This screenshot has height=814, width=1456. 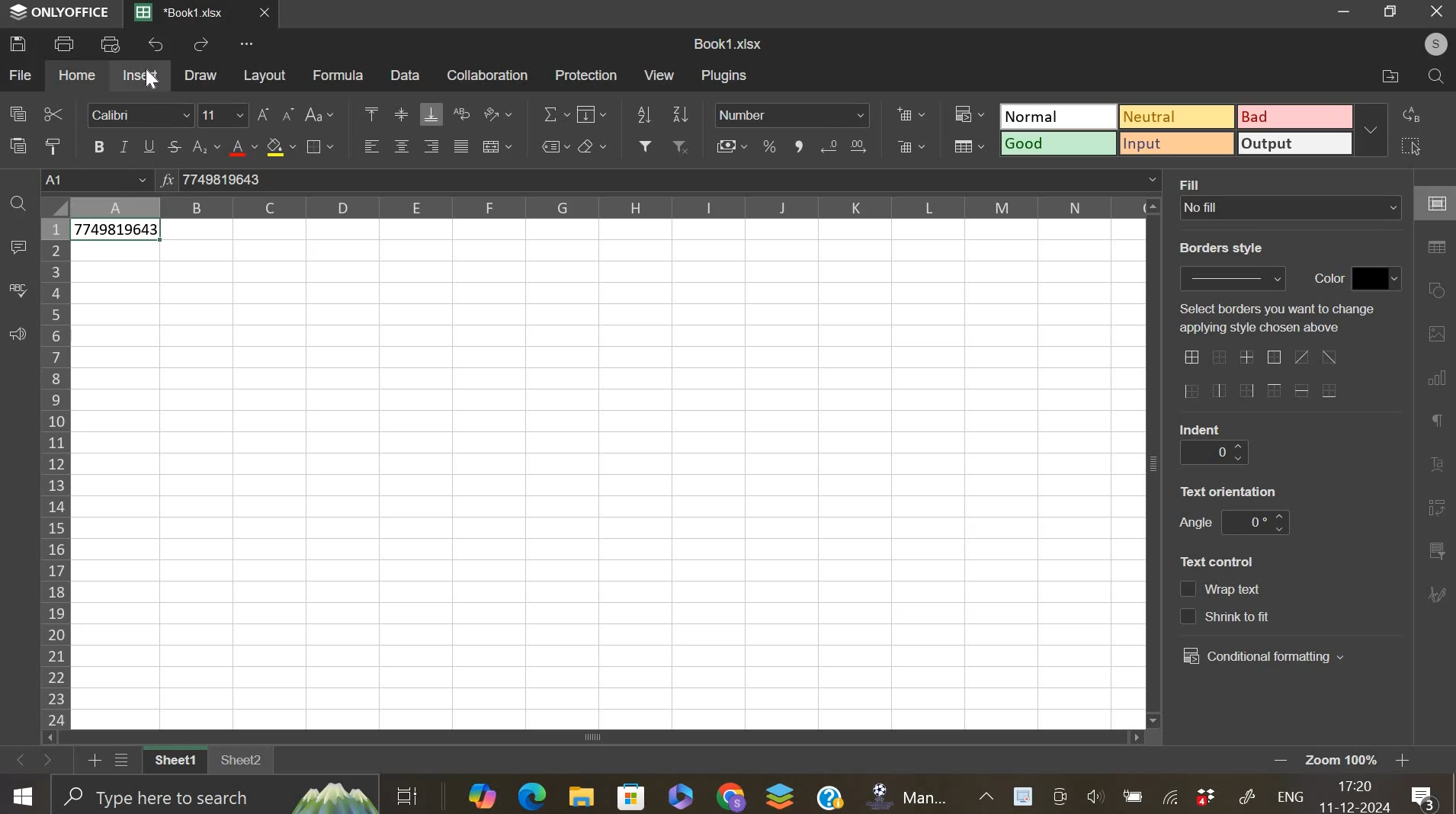 I want to click on view more, so click(x=252, y=46).